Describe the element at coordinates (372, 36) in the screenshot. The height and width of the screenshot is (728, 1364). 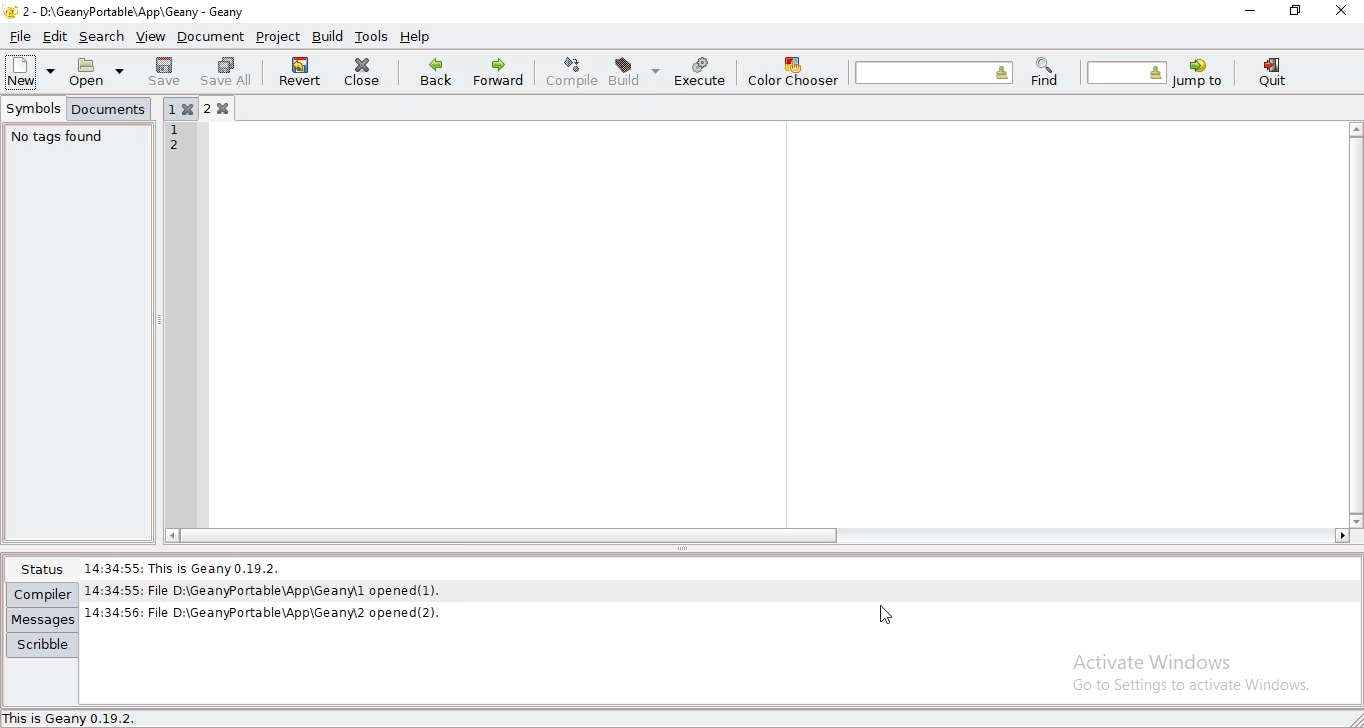
I see `tools` at that location.